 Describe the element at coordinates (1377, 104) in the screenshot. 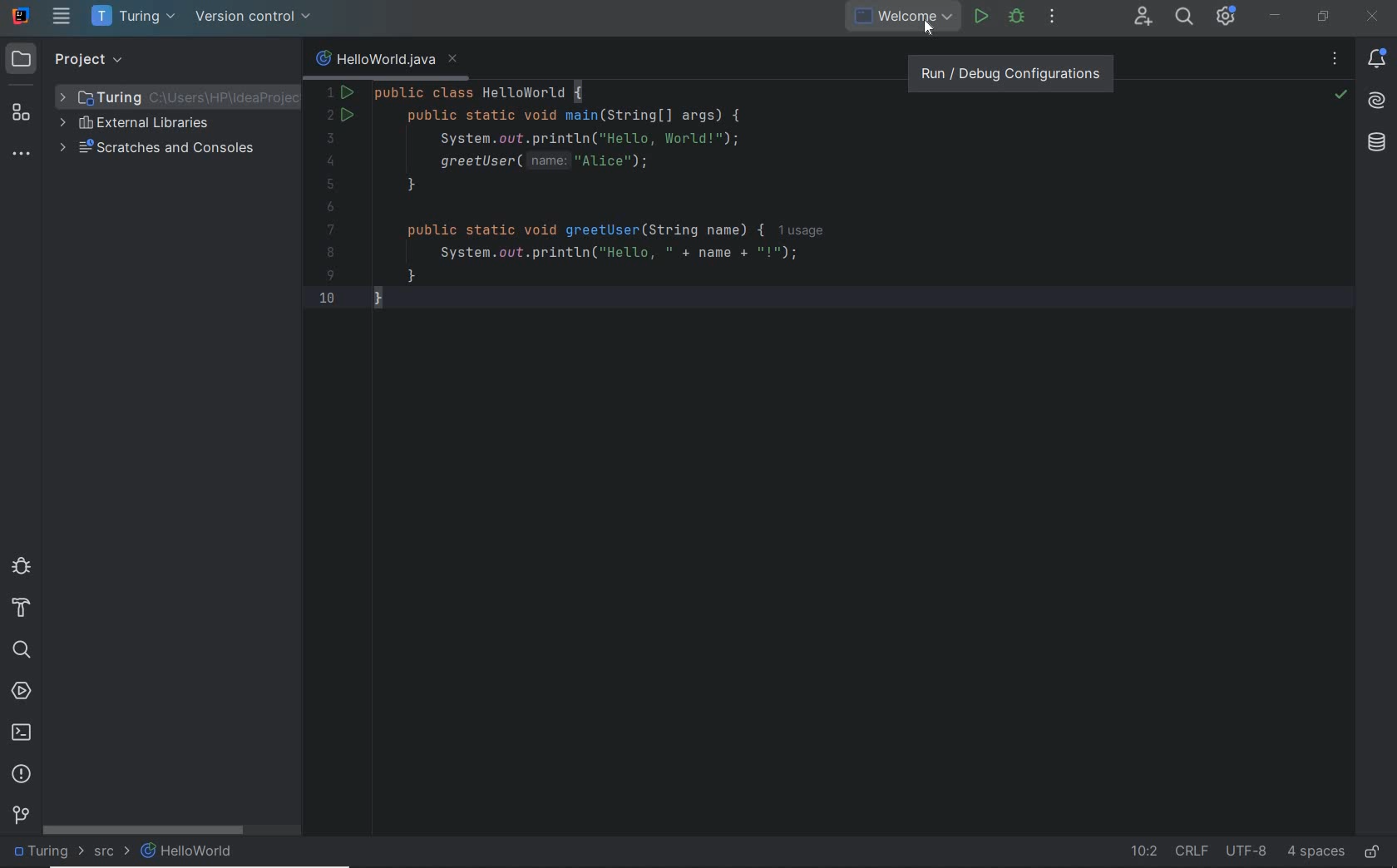

I see `AI Assistant` at that location.